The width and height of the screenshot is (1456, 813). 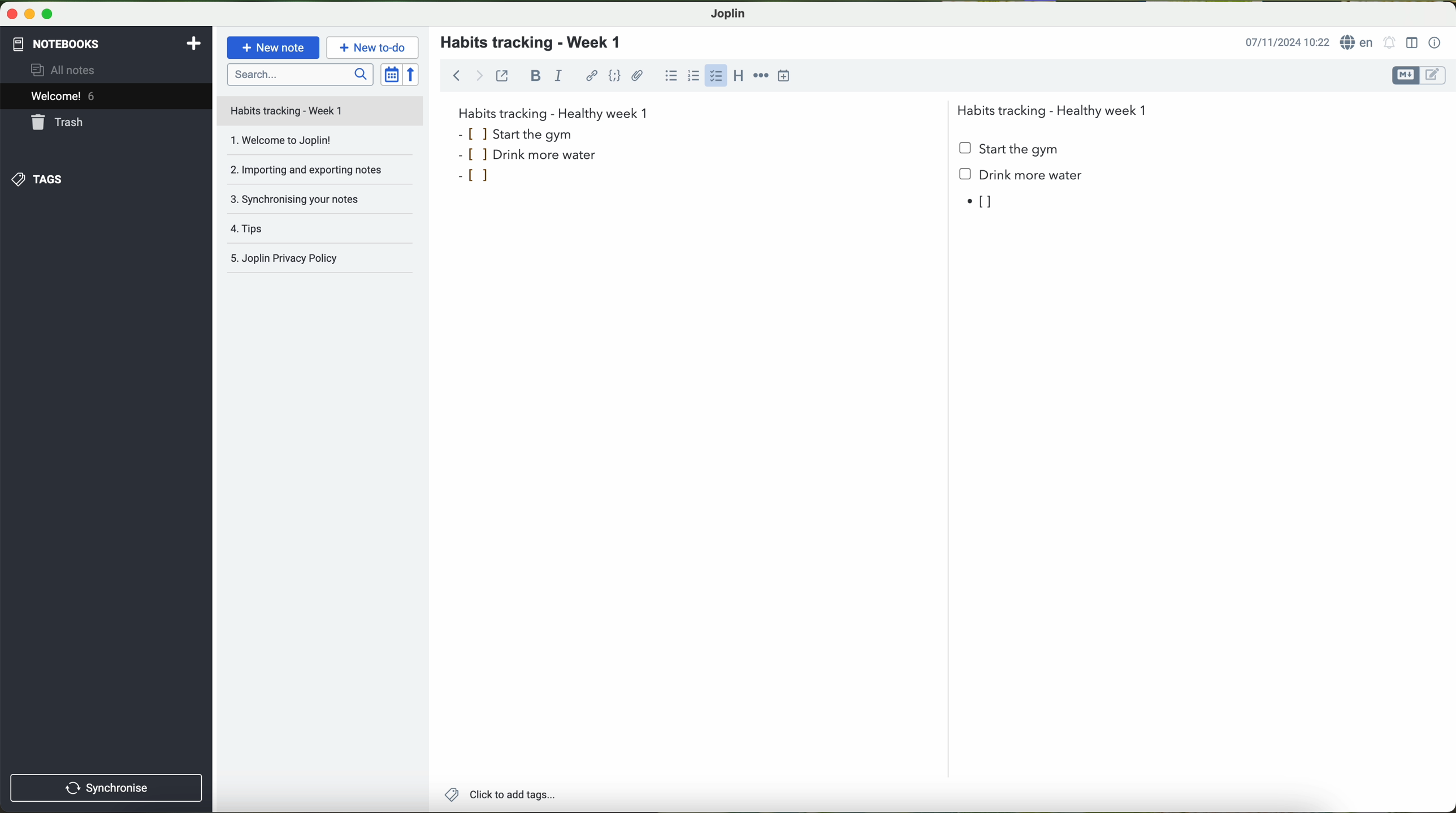 What do you see at coordinates (321, 260) in the screenshot?
I see `Joplin privacy policy` at bounding box center [321, 260].